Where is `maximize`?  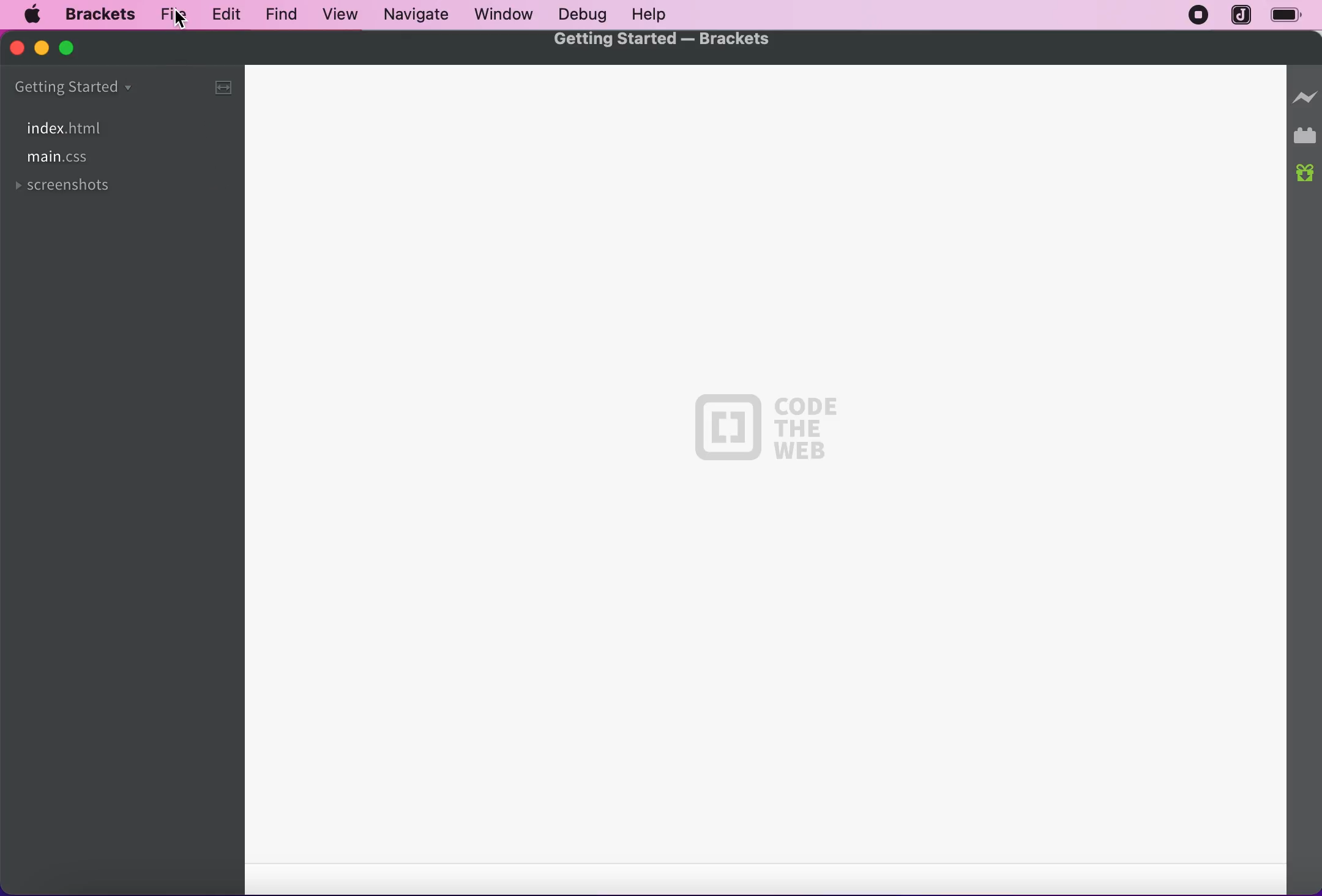
maximize is located at coordinates (77, 48).